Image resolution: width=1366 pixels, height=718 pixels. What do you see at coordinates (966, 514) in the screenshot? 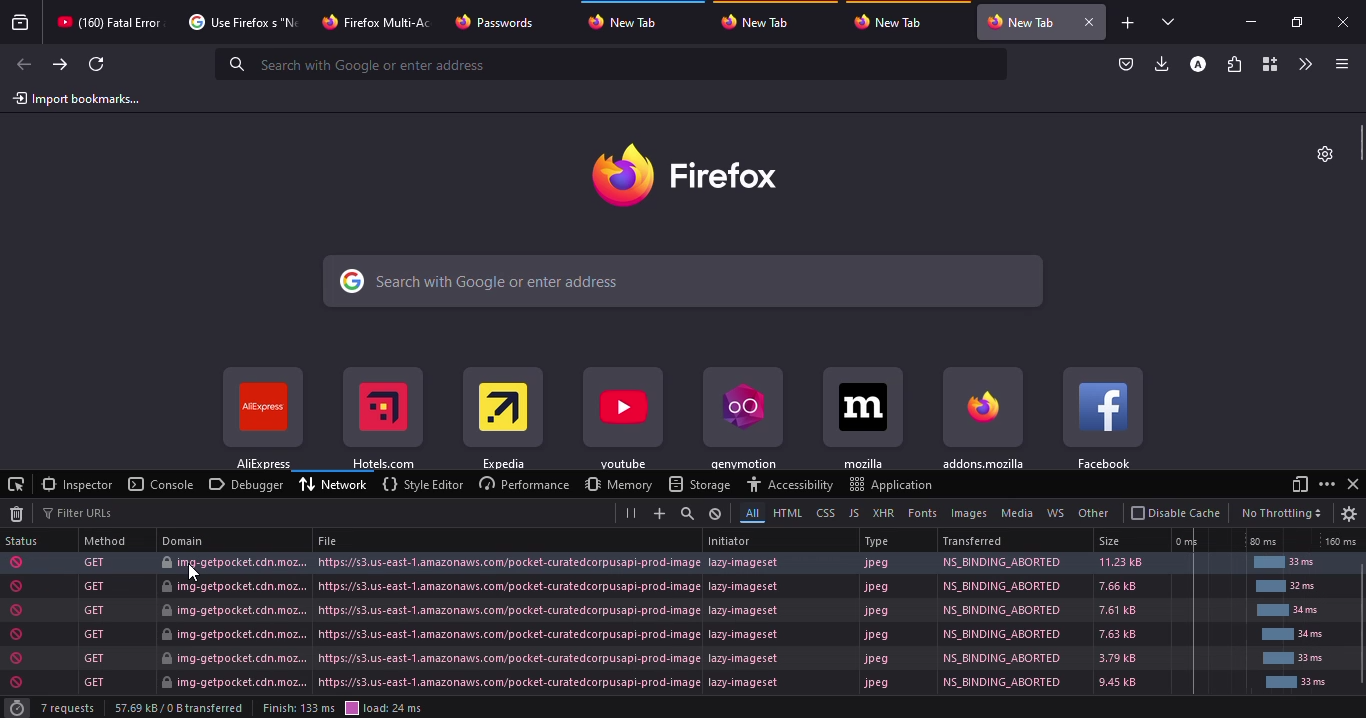
I see `images` at bounding box center [966, 514].